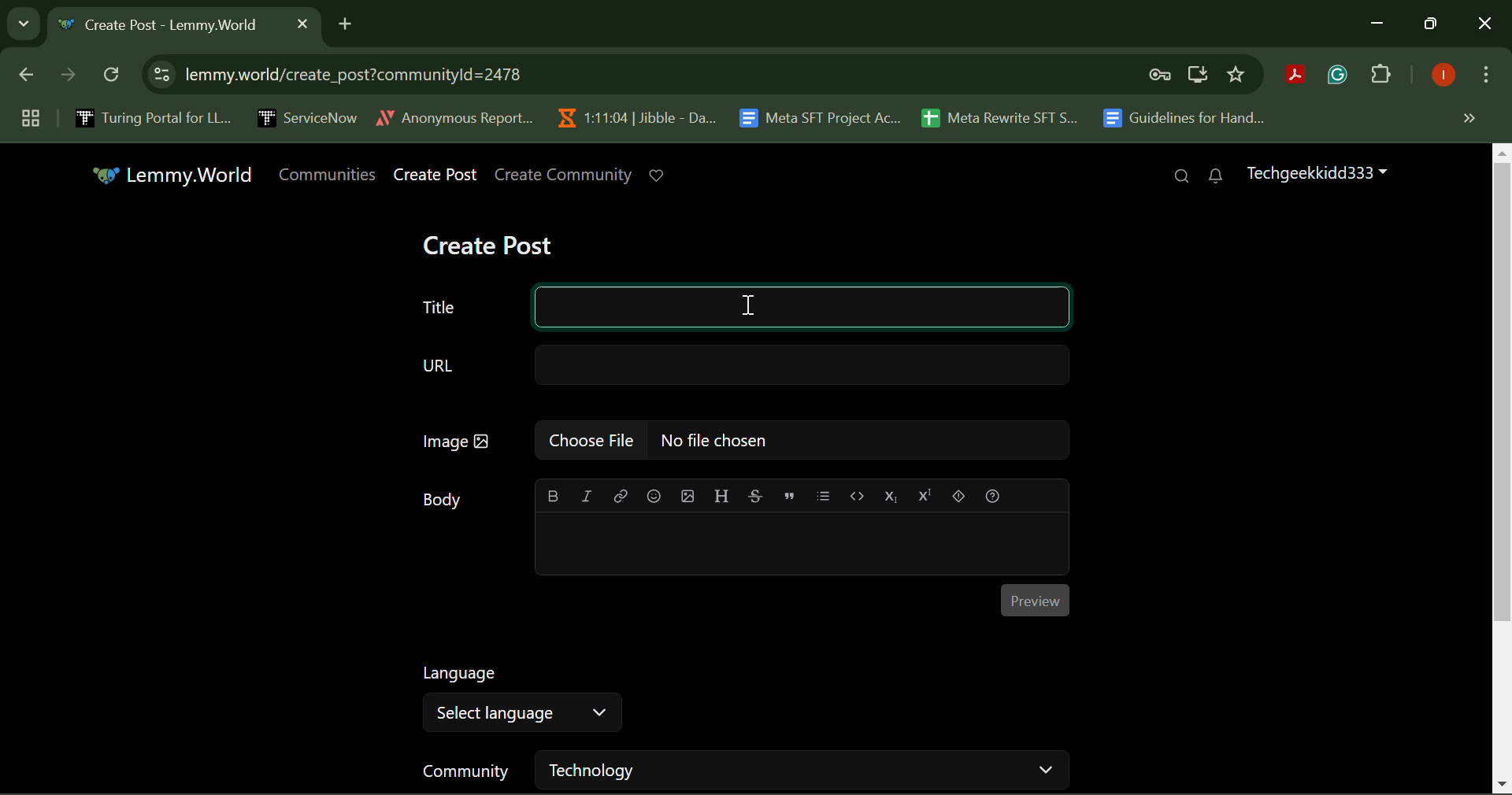 Image resolution: width=1512 pixels, height=795 pixels. I want to click on strikethrough, so click(757, 495).